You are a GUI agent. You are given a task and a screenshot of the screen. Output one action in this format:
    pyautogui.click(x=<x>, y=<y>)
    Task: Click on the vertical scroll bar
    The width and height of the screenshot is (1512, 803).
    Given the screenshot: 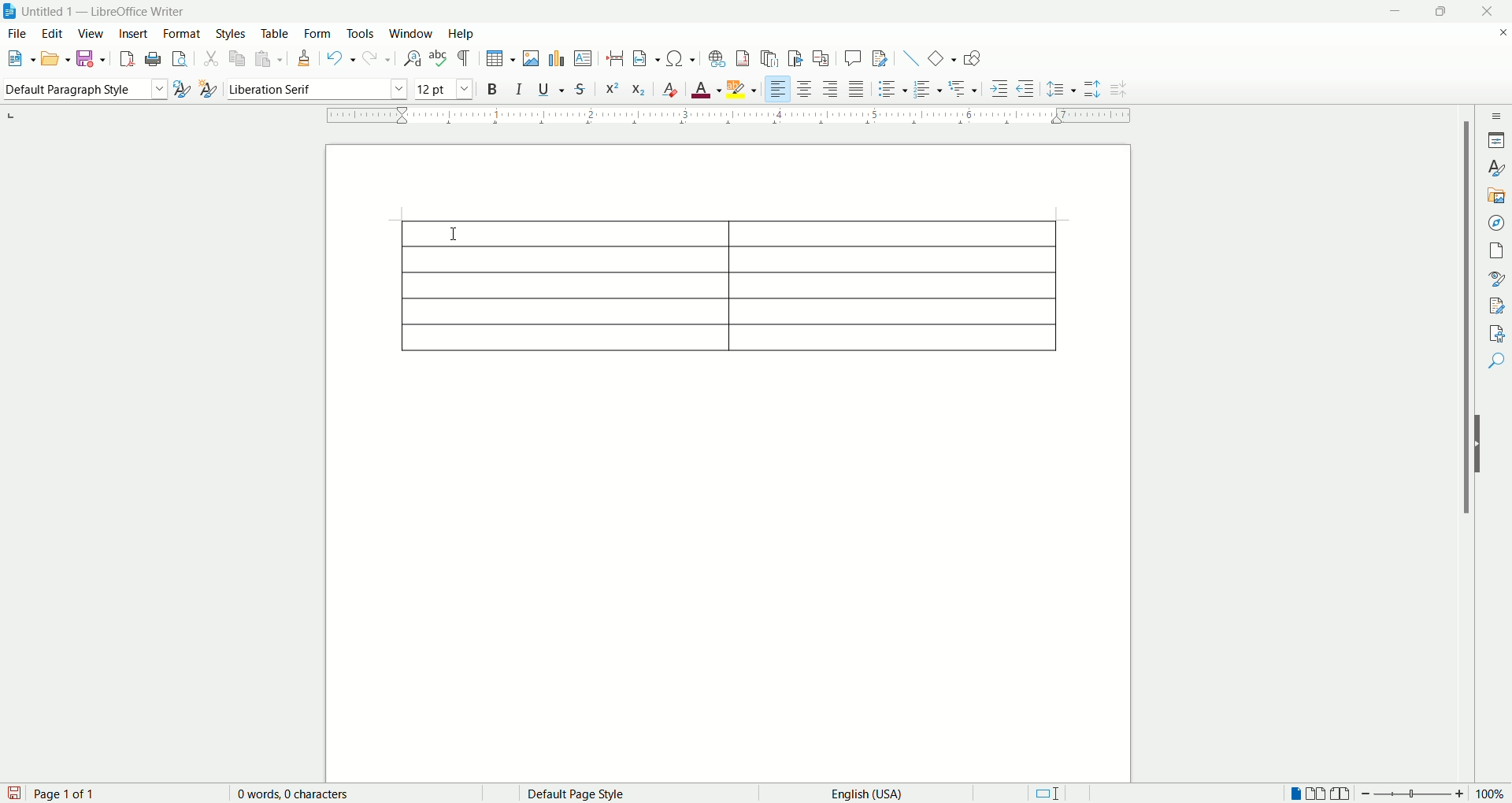 What is the action you would take?
    pyautogui.click(x=1462, y=442)
    